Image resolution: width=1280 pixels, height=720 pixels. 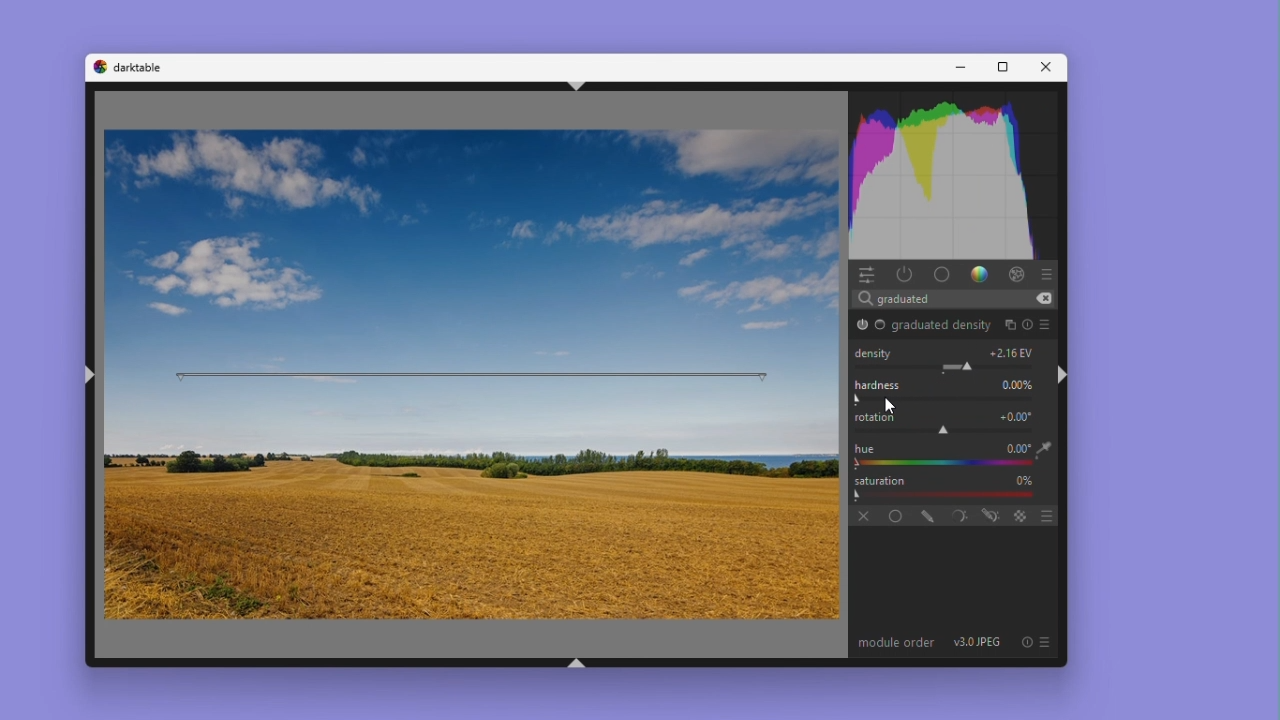 What do you see at coordinates (1017, 384) in the screenshot?
I see `0.00%` at bounding box center [1017, 384].